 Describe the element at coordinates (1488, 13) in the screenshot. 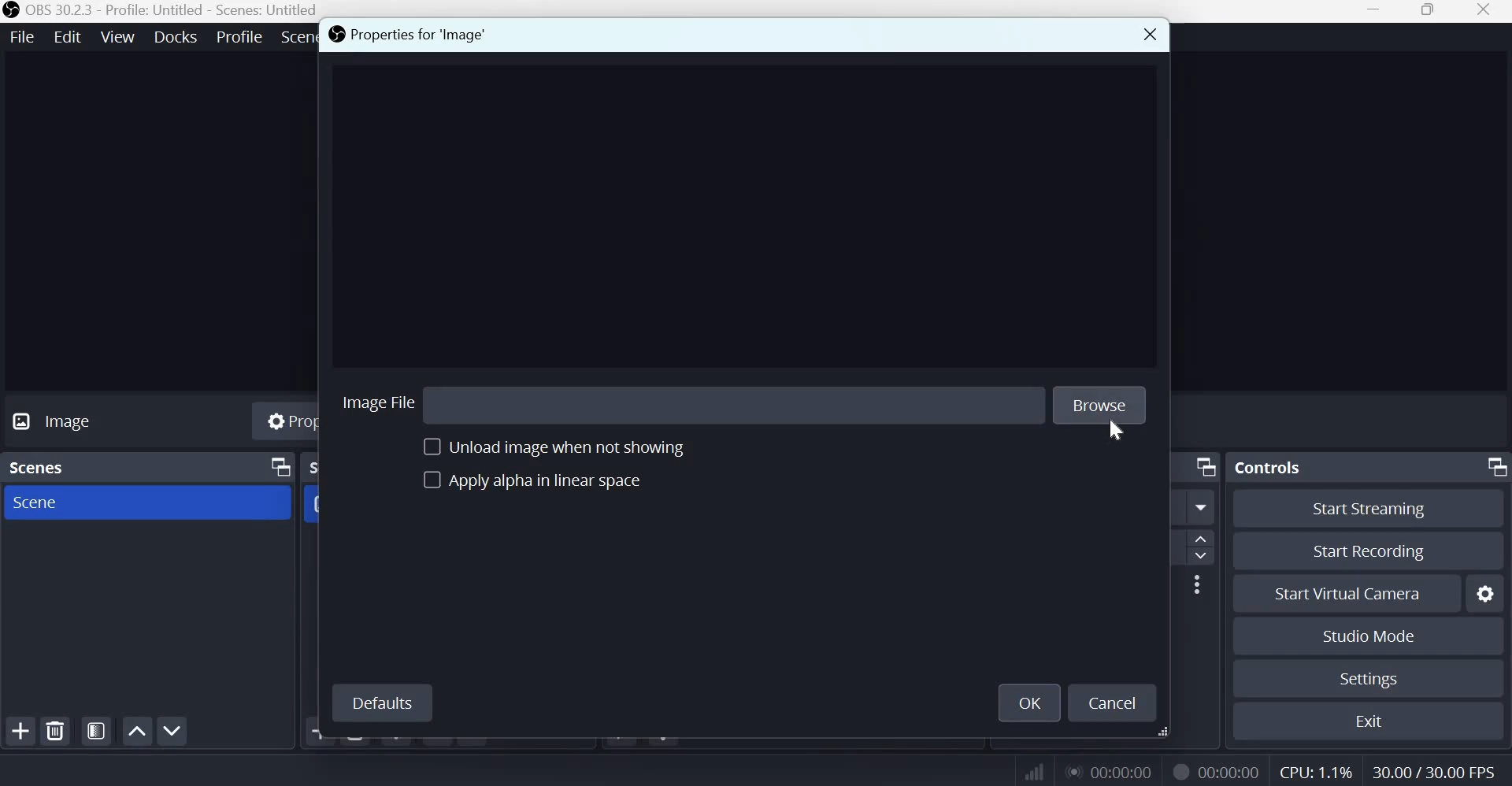

I see `close` at that location.